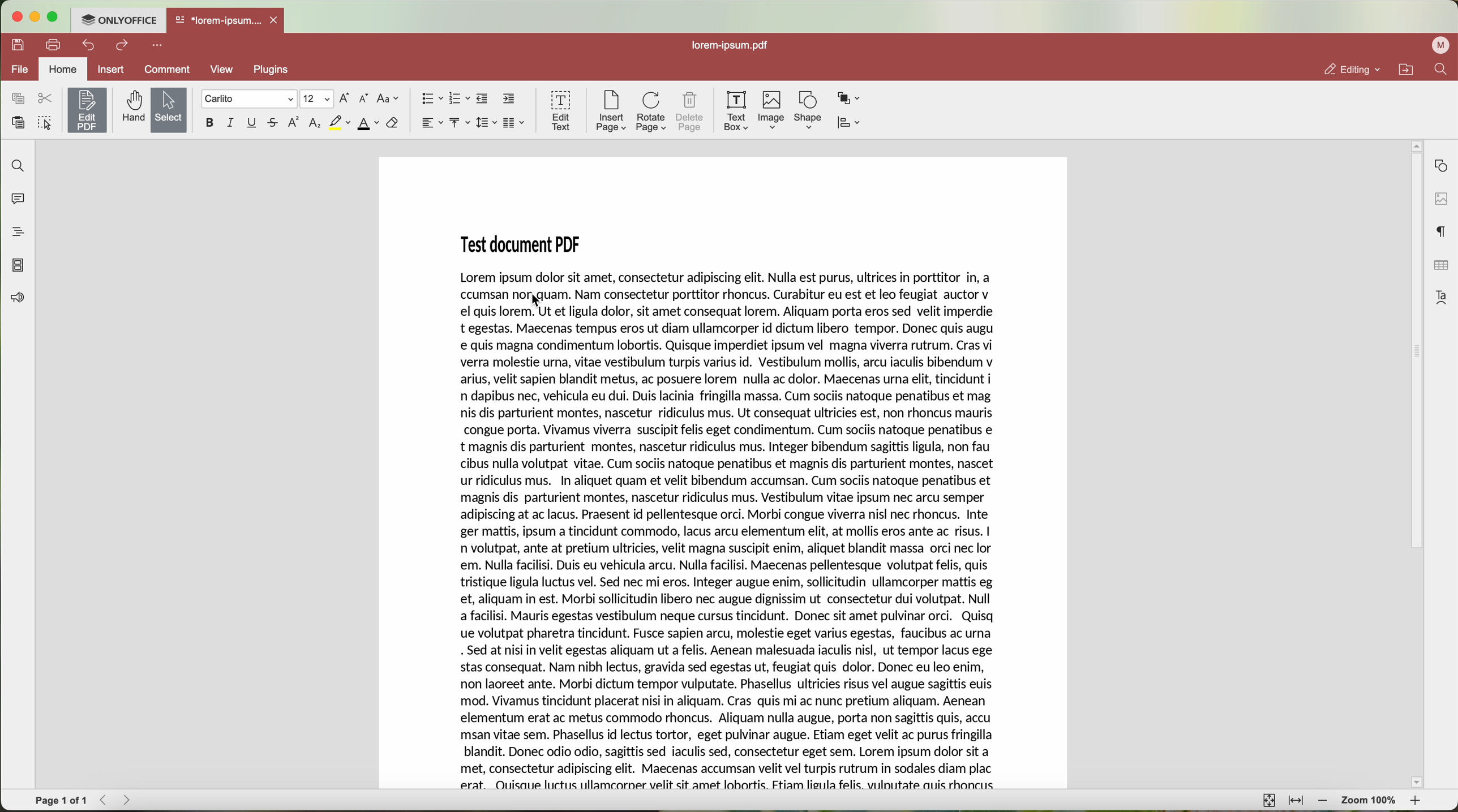 The image size is (1458, 812). I want to click on italic, so click(230, 123).